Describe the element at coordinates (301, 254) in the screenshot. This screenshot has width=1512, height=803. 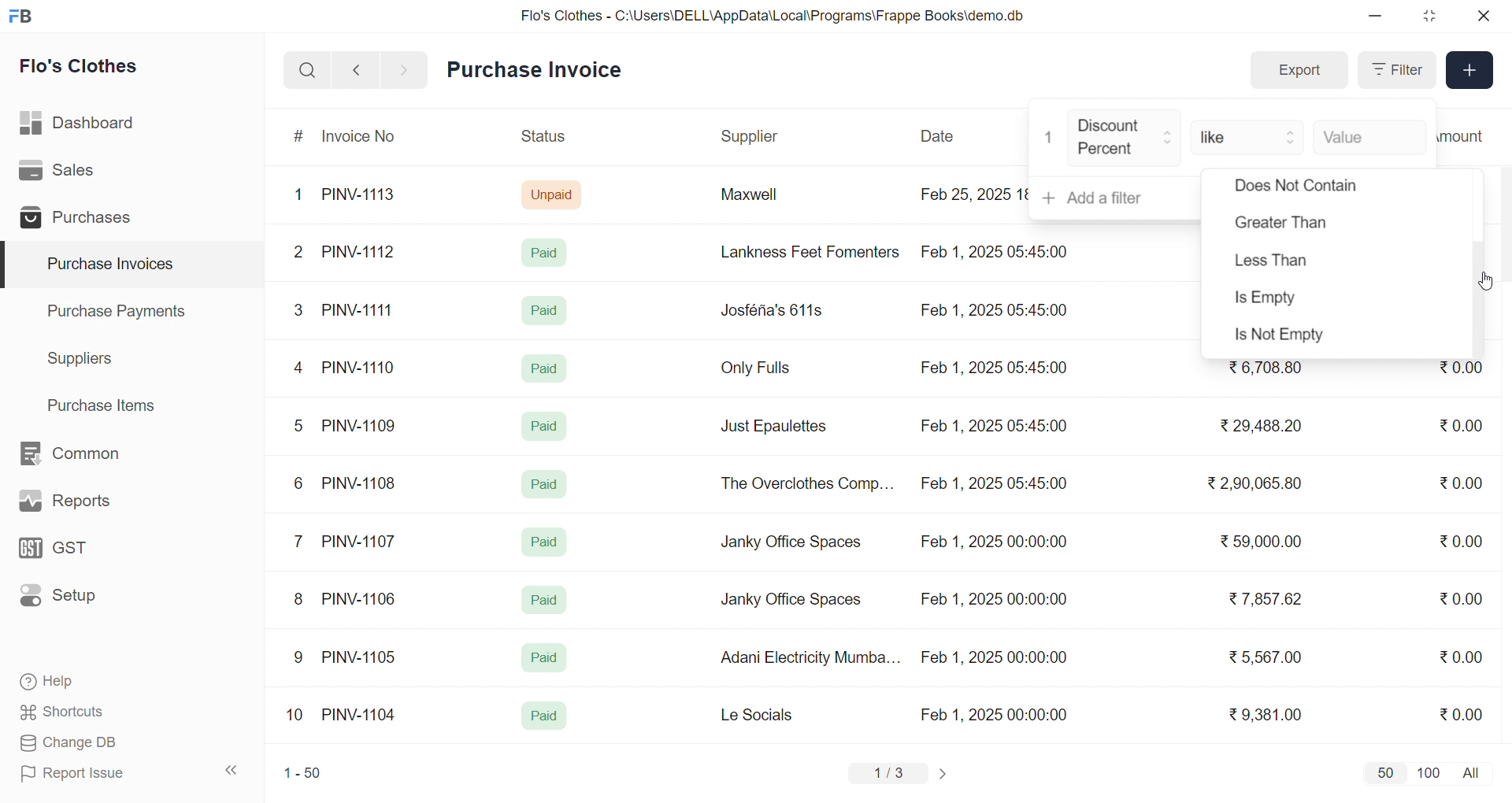
I see `2` at that location.